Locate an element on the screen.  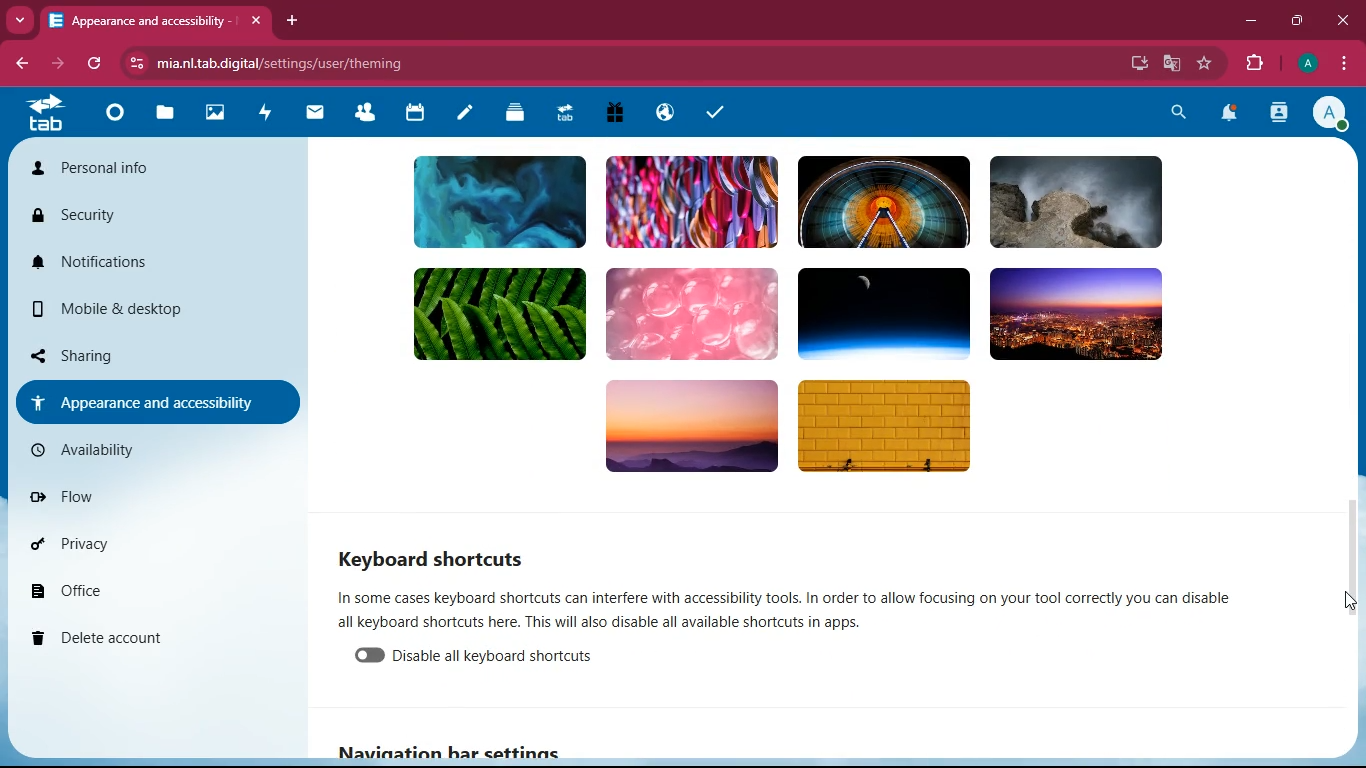
url is located at coordinates (295, 60).